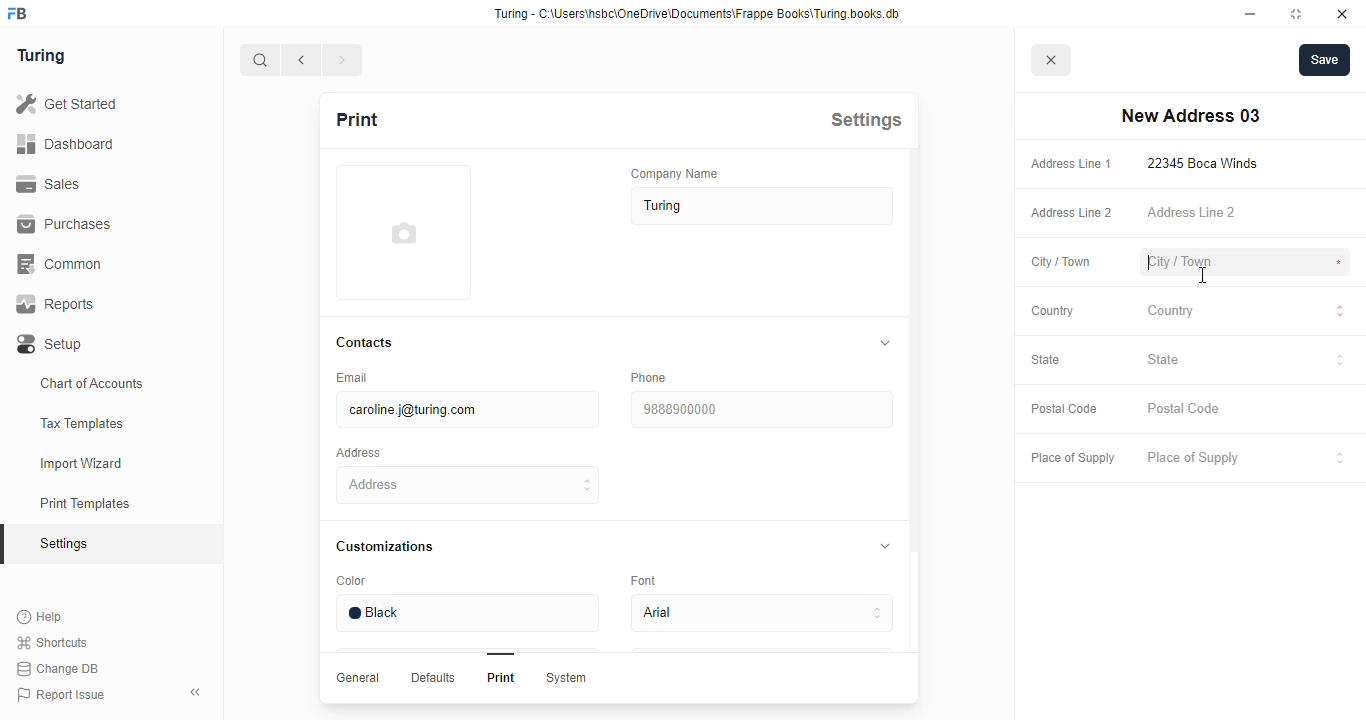  I want to click on city / town, so click(1062, 263).